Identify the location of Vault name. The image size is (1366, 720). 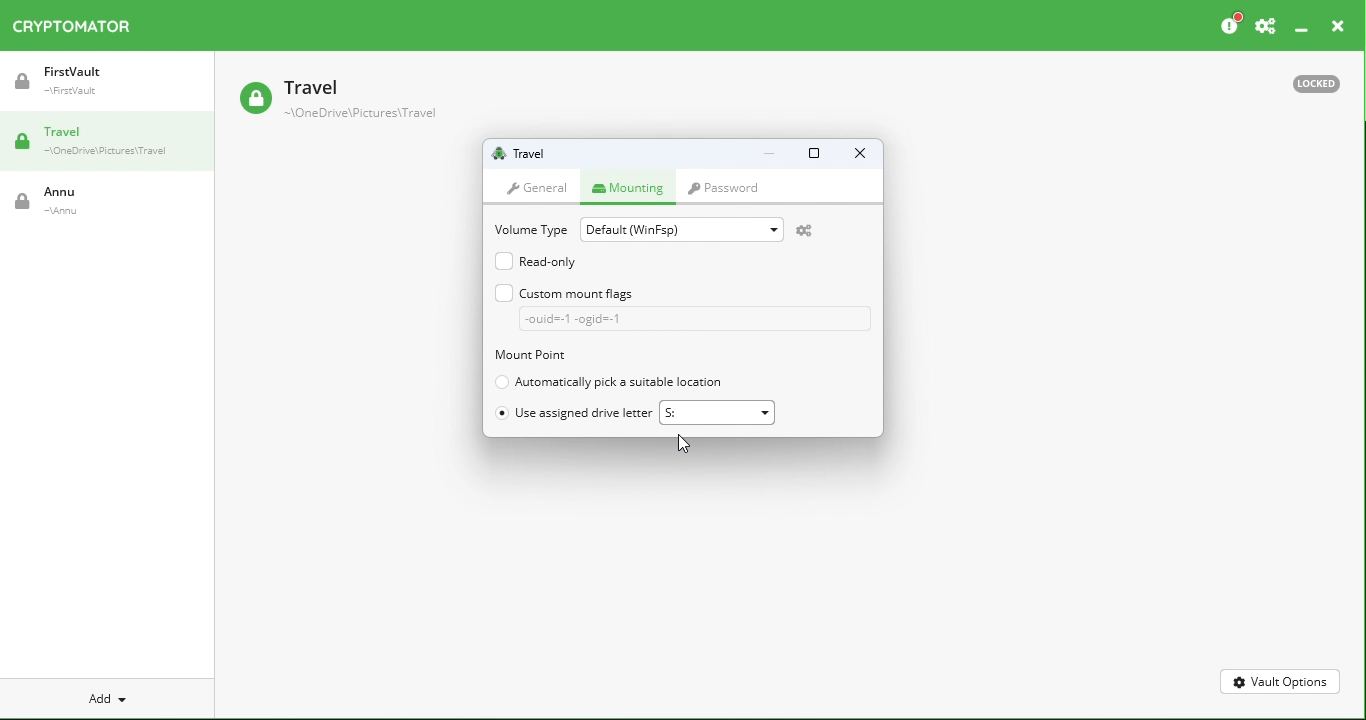
(530, 153).